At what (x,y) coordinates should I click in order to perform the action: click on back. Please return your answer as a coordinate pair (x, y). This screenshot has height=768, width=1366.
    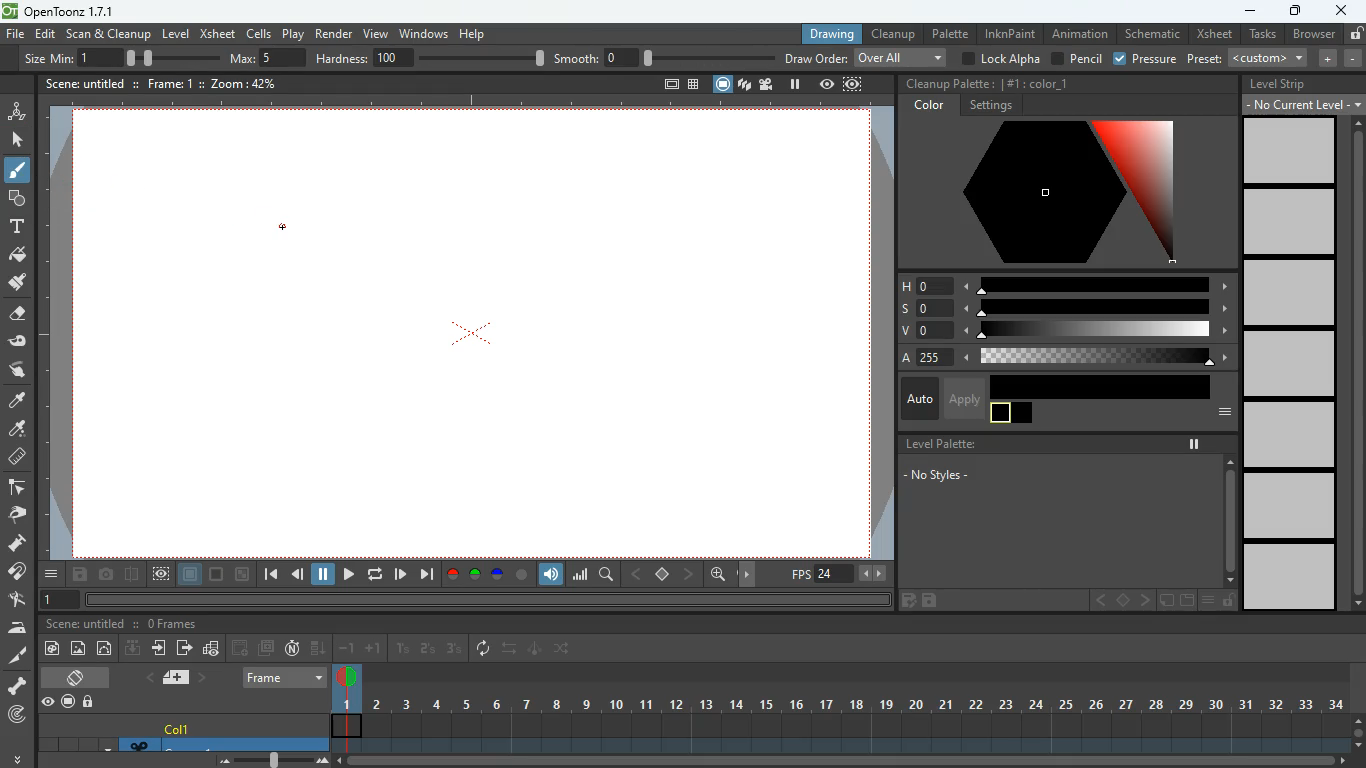
    Looking at the image, I should click on (241, 648).